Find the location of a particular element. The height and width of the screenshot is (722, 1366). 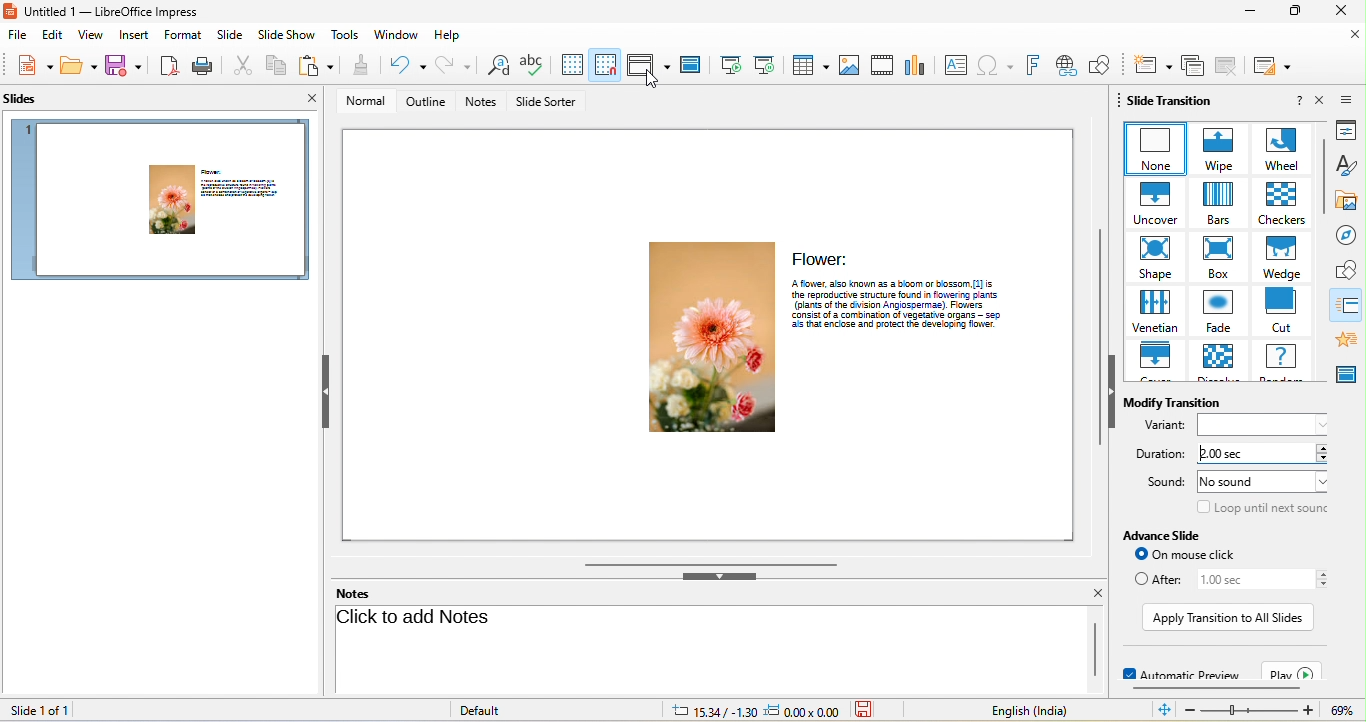

paste is located at coordinates (314, 64).